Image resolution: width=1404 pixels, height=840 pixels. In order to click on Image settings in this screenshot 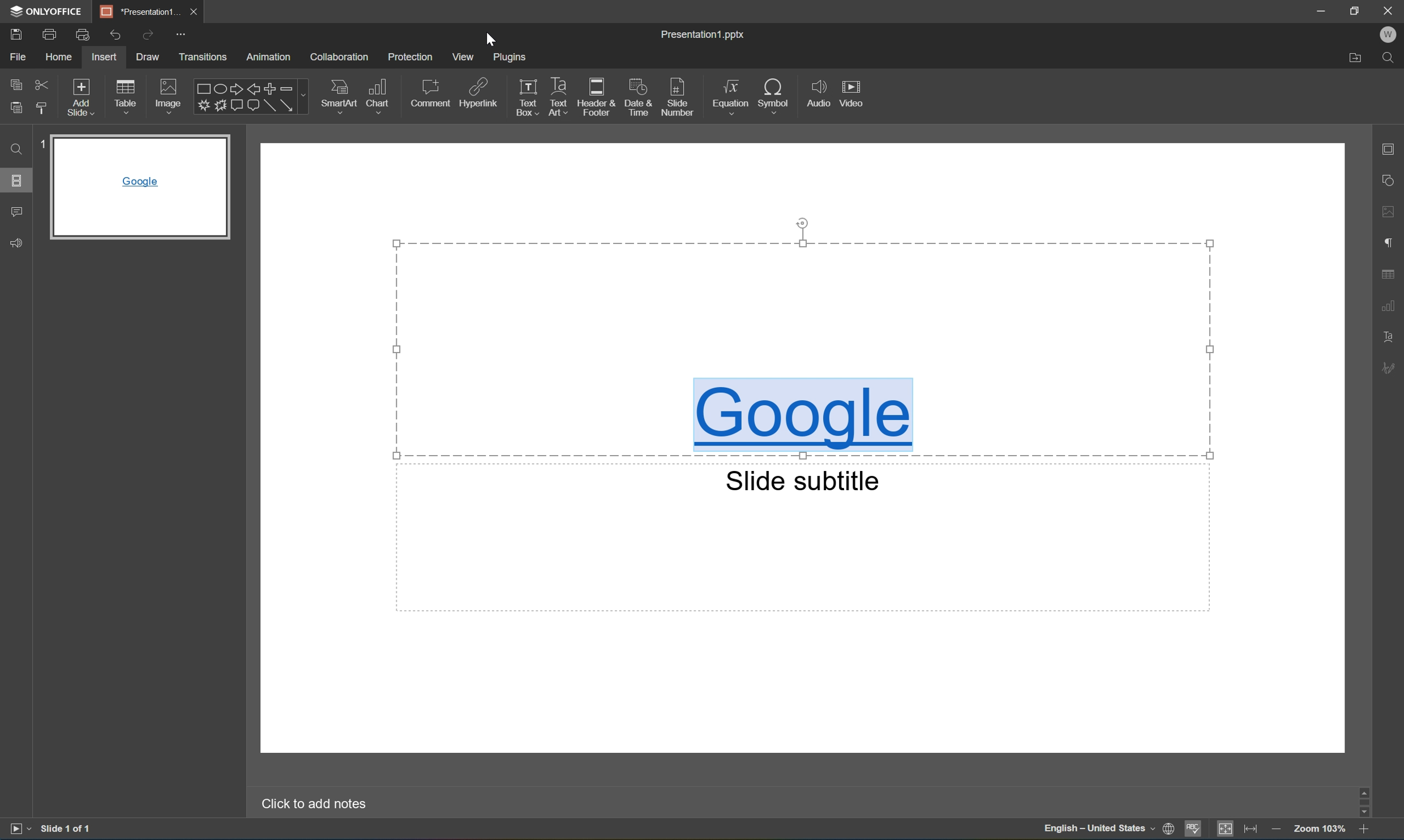, I will do `click(1391, 213)`.